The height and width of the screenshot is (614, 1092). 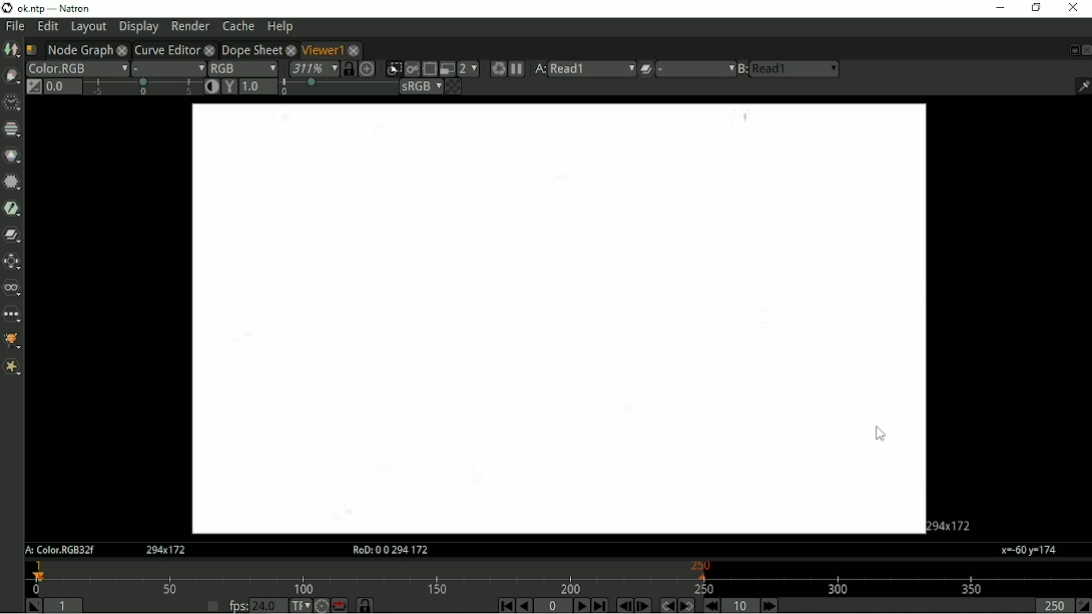 What do you see at coordinates (880, 431) in the screenshot?
I see `cursor` at bounding box center [880, 431].